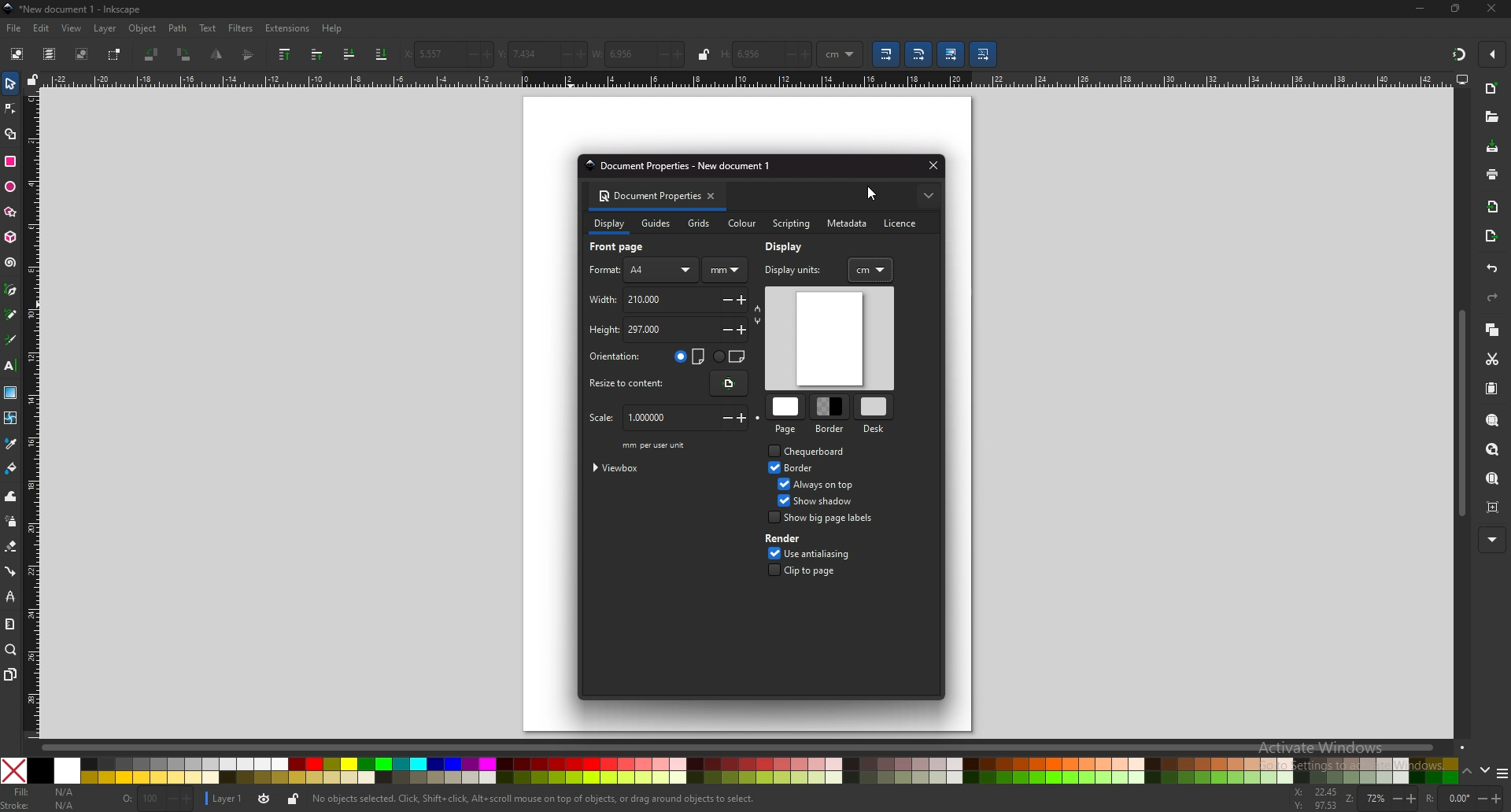 This screenshot has height=812, width=1511. I want to click on nothing selected, so click(157, 800).